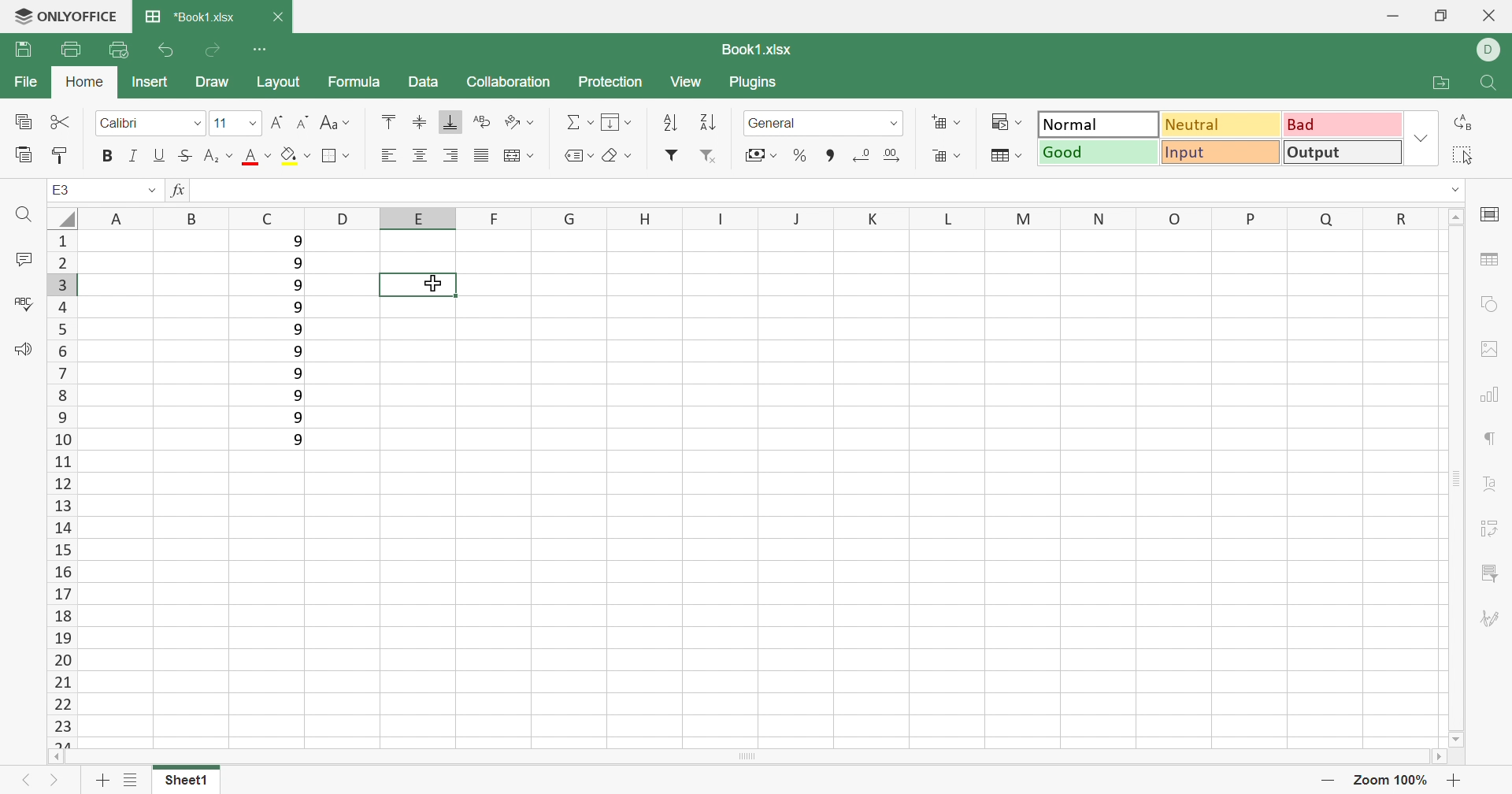  What do you see at coordinates (69, 15) in the screenshot?
I see `ONLYOFFICE` at bounding box center [69, 15].